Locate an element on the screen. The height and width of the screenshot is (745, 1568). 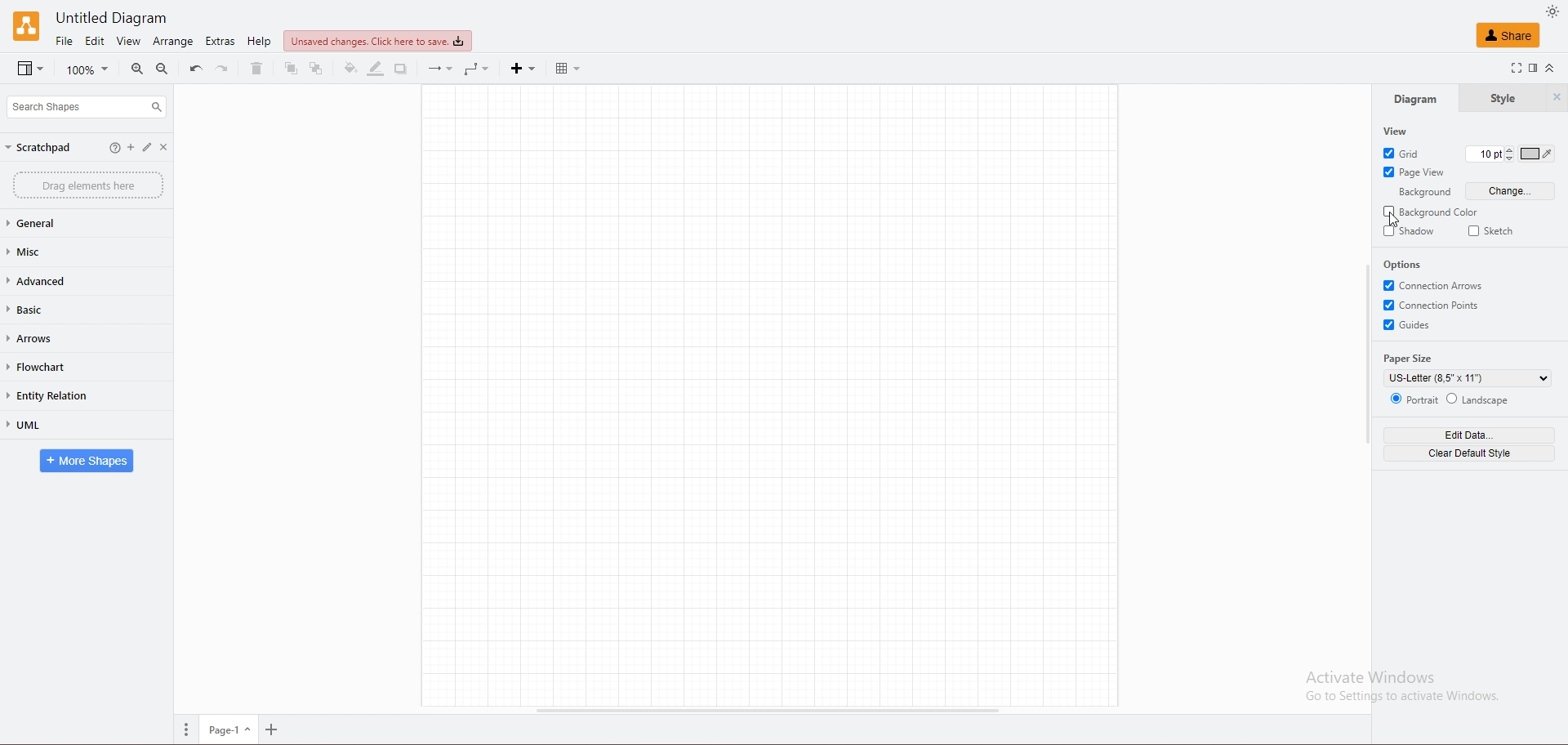
share is located at coordinates (1508, 34).